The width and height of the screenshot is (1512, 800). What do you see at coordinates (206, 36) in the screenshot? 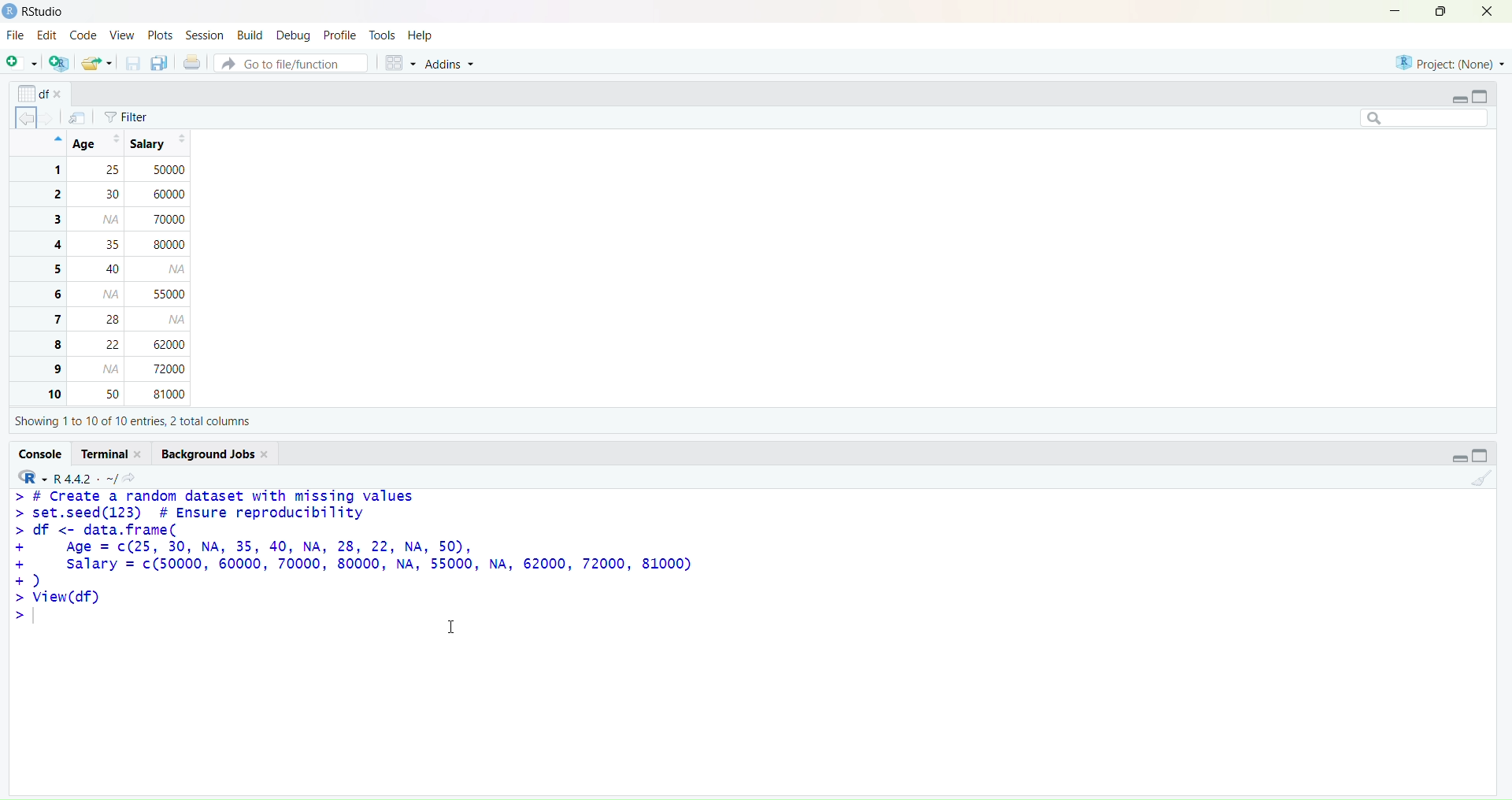
I see `session` at bounding box center [206, 36].